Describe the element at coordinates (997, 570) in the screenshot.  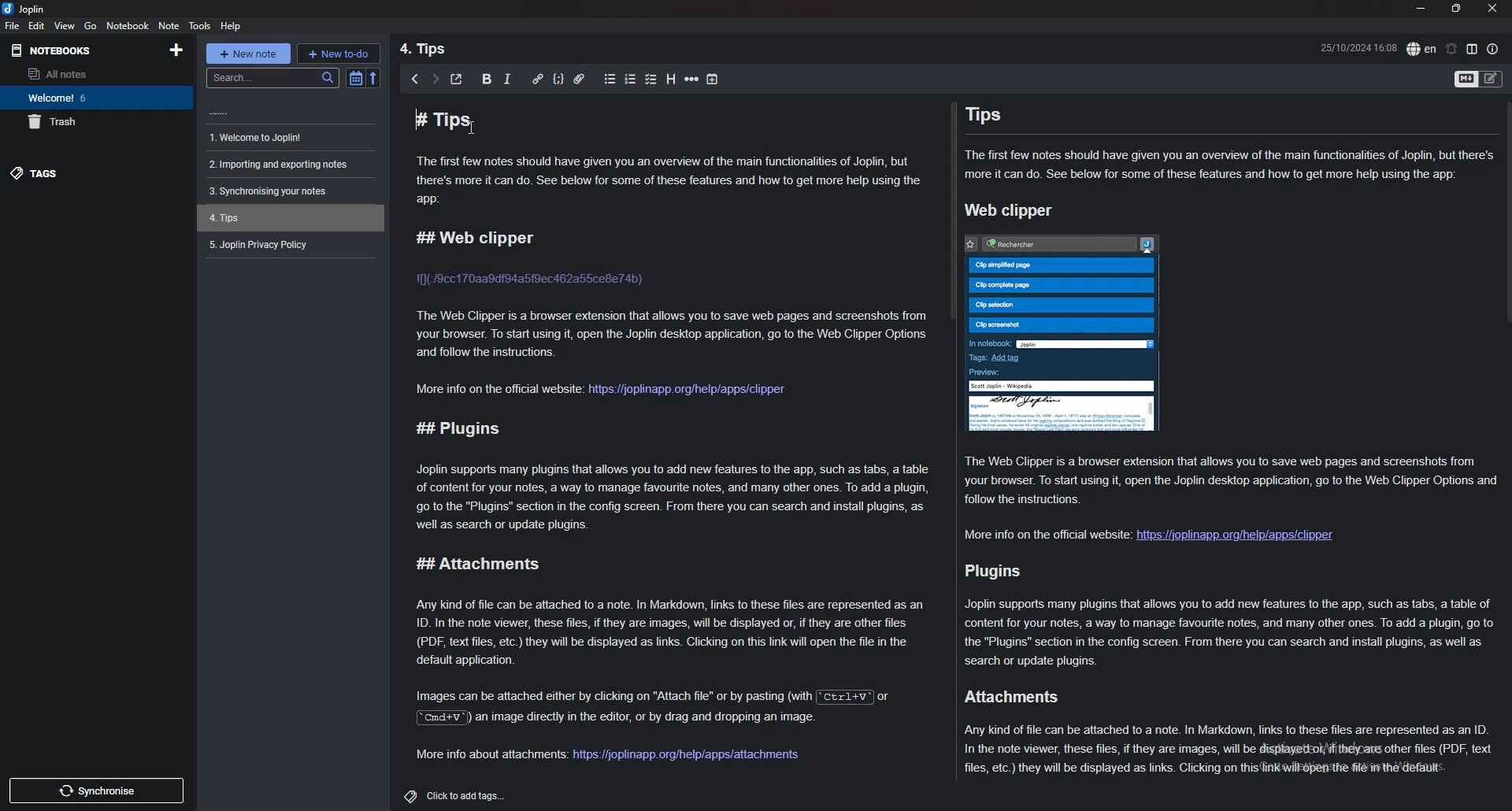
I see `Plugins` at that location.